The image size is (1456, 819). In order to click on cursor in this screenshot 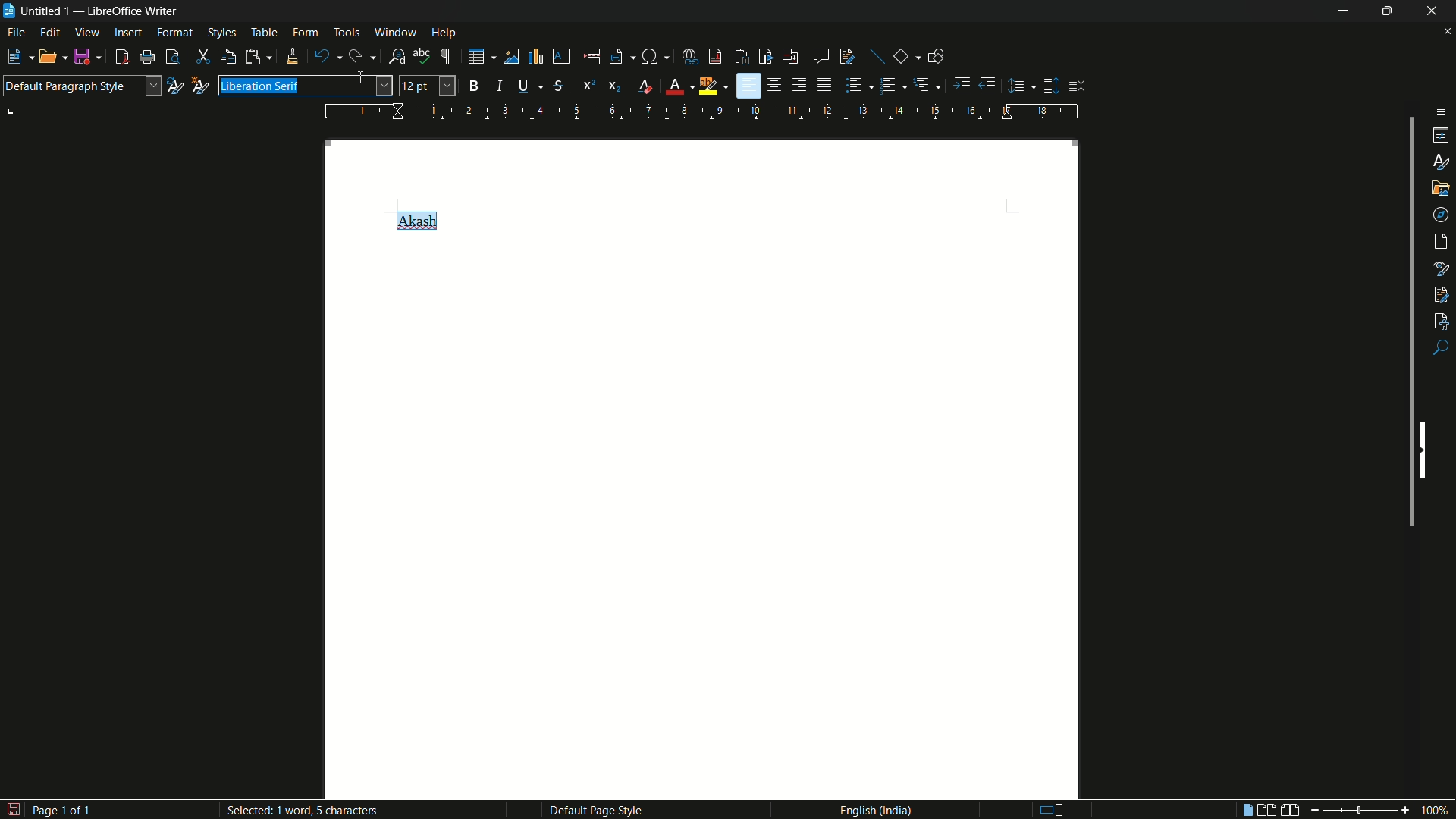, I will do `click(365, 80)`.